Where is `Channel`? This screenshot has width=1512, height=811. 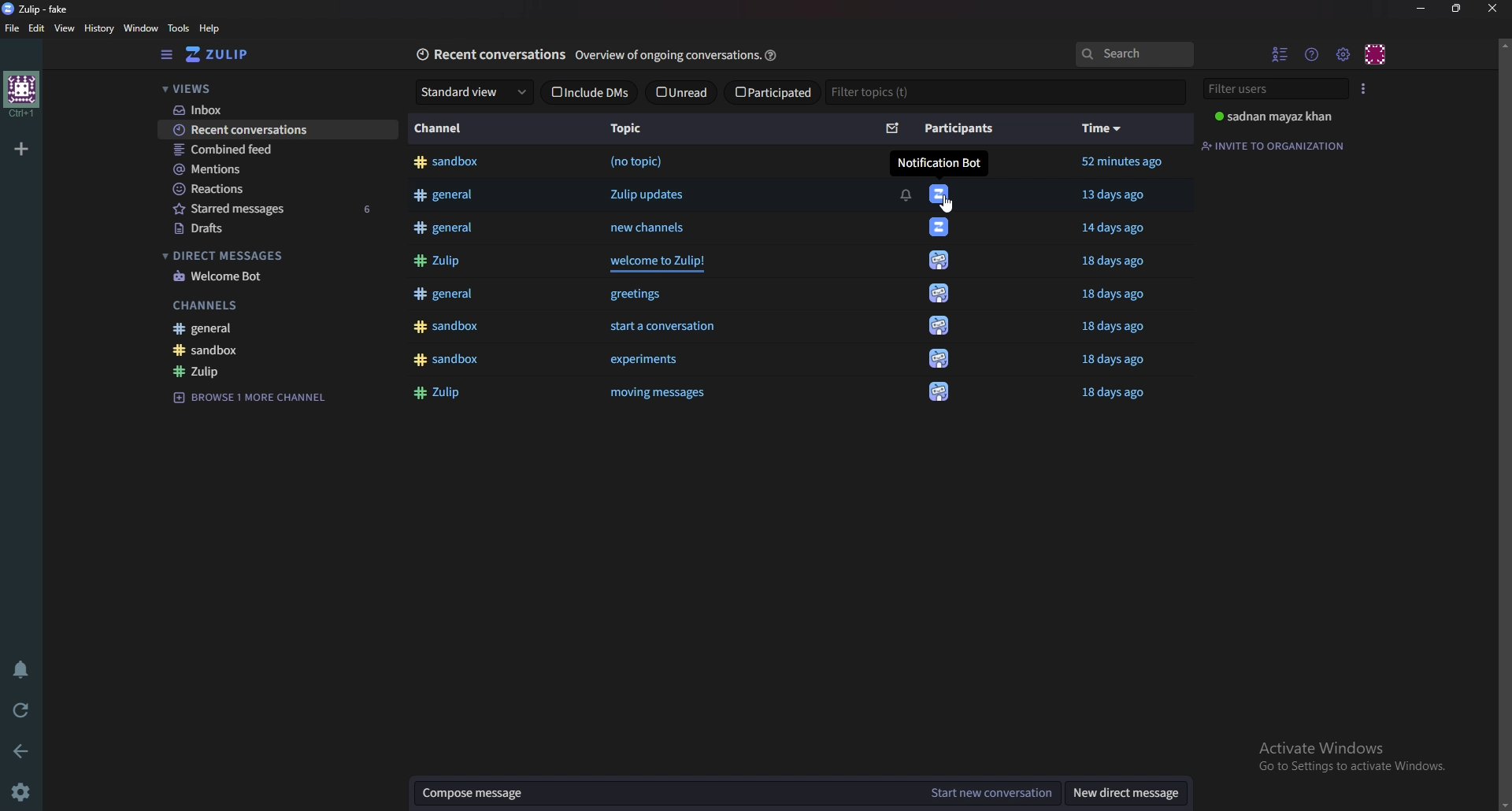
Channel is located at coordinates (443, 128).